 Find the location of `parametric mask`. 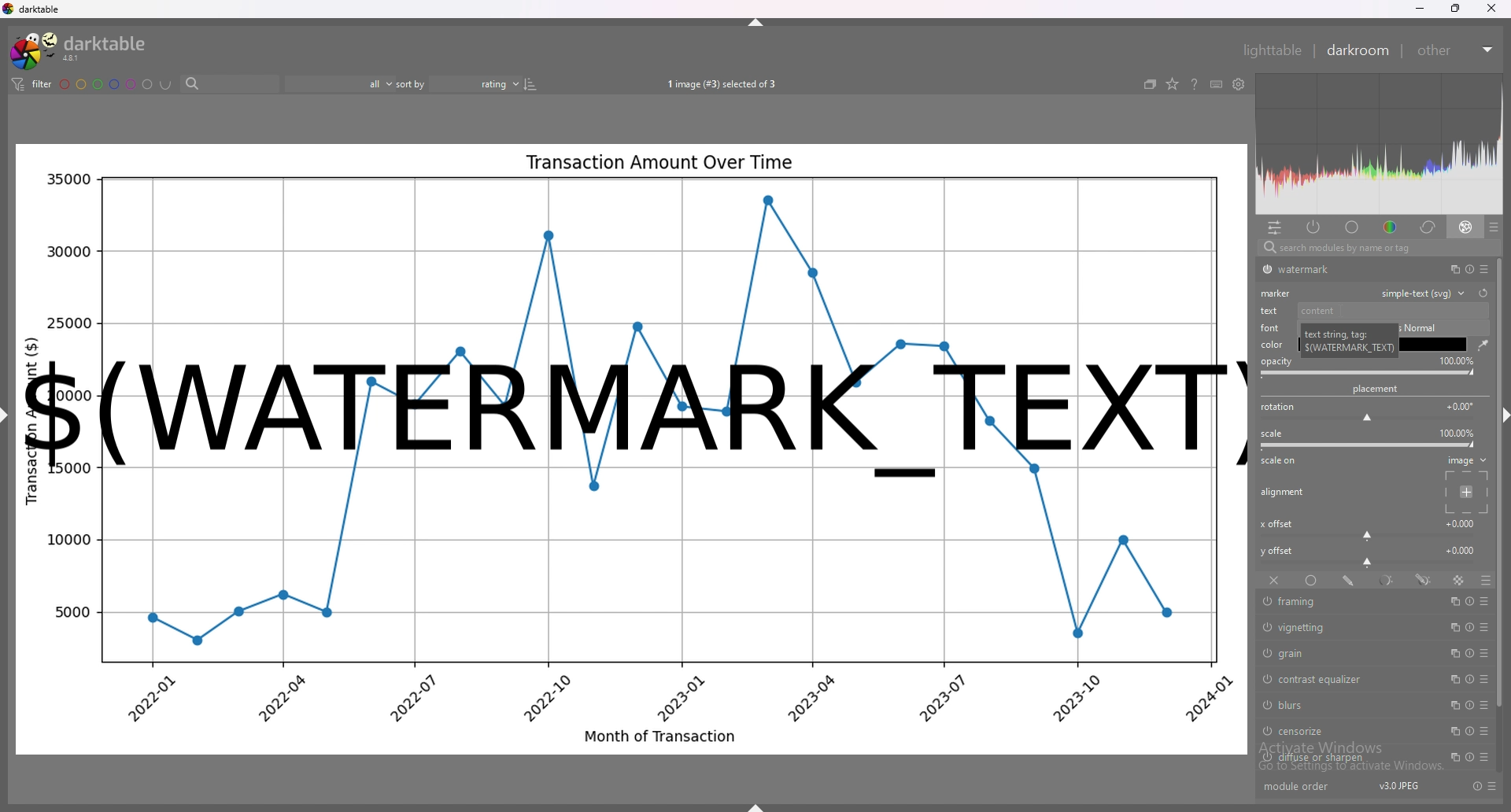

parametric mask is located at coordinates (1388, 580).